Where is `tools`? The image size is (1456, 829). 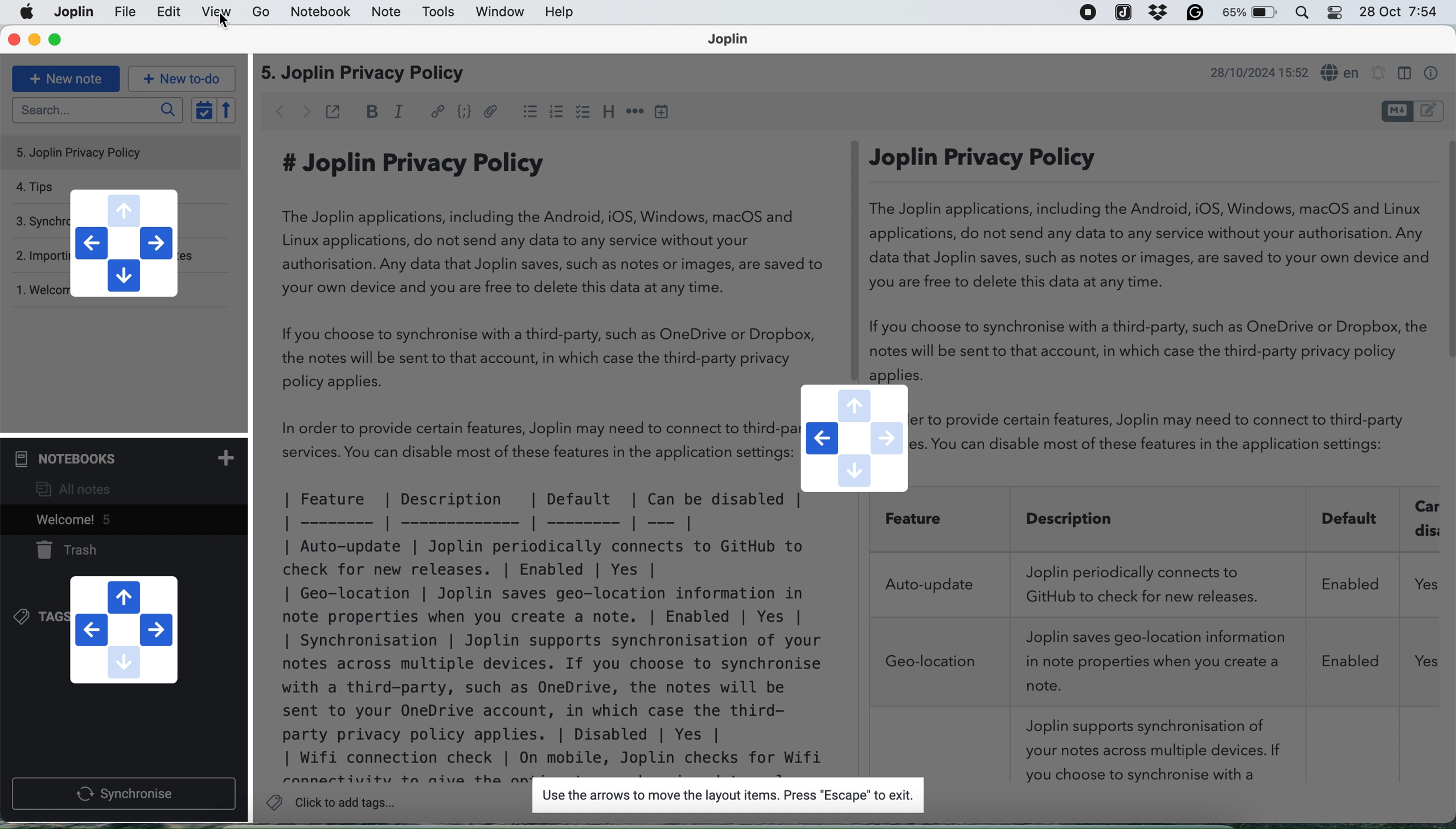 tools is located at coordinates (439, 13).